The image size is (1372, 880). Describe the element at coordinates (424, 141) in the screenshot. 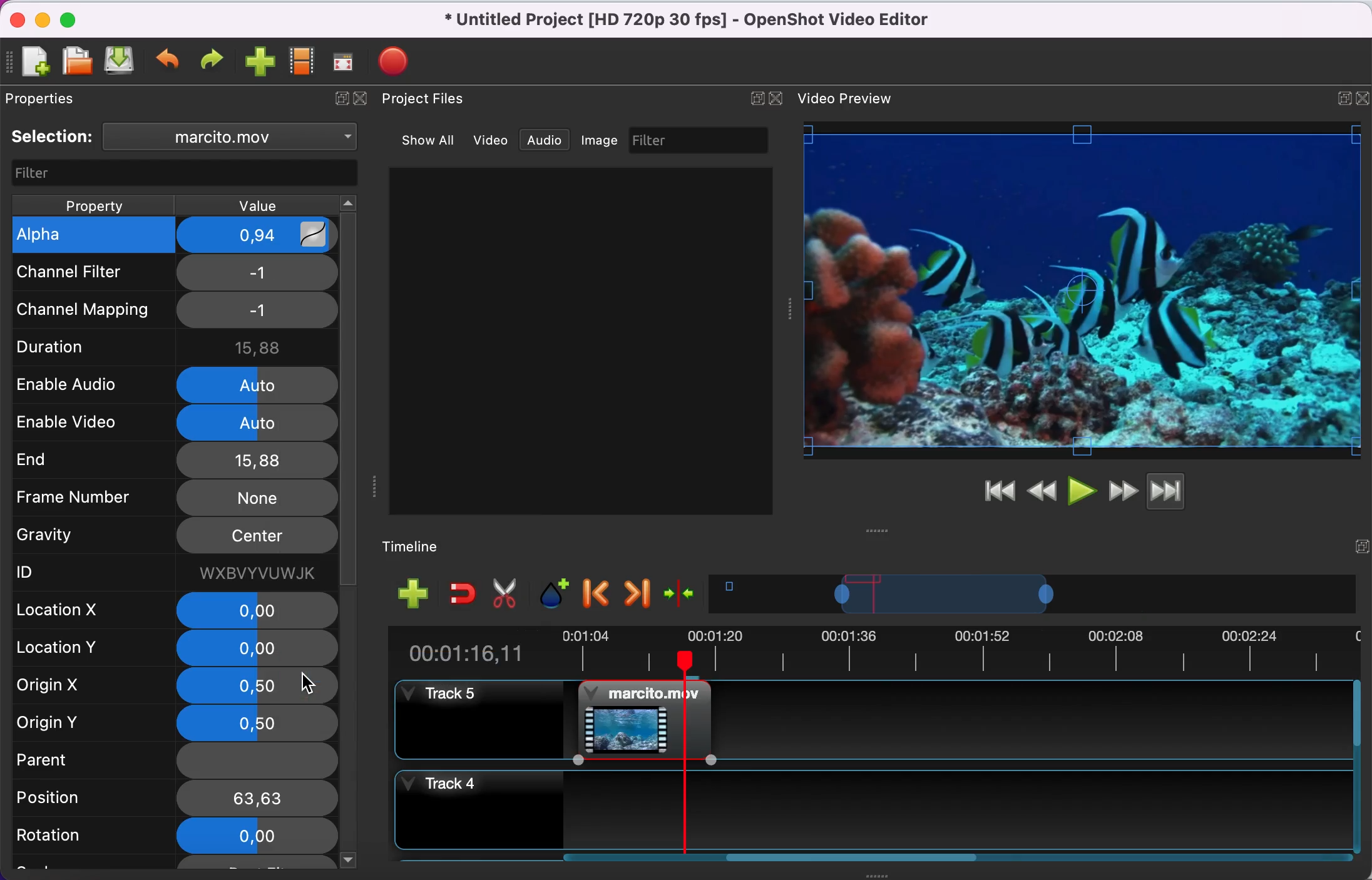

I see `Show All` at that location.